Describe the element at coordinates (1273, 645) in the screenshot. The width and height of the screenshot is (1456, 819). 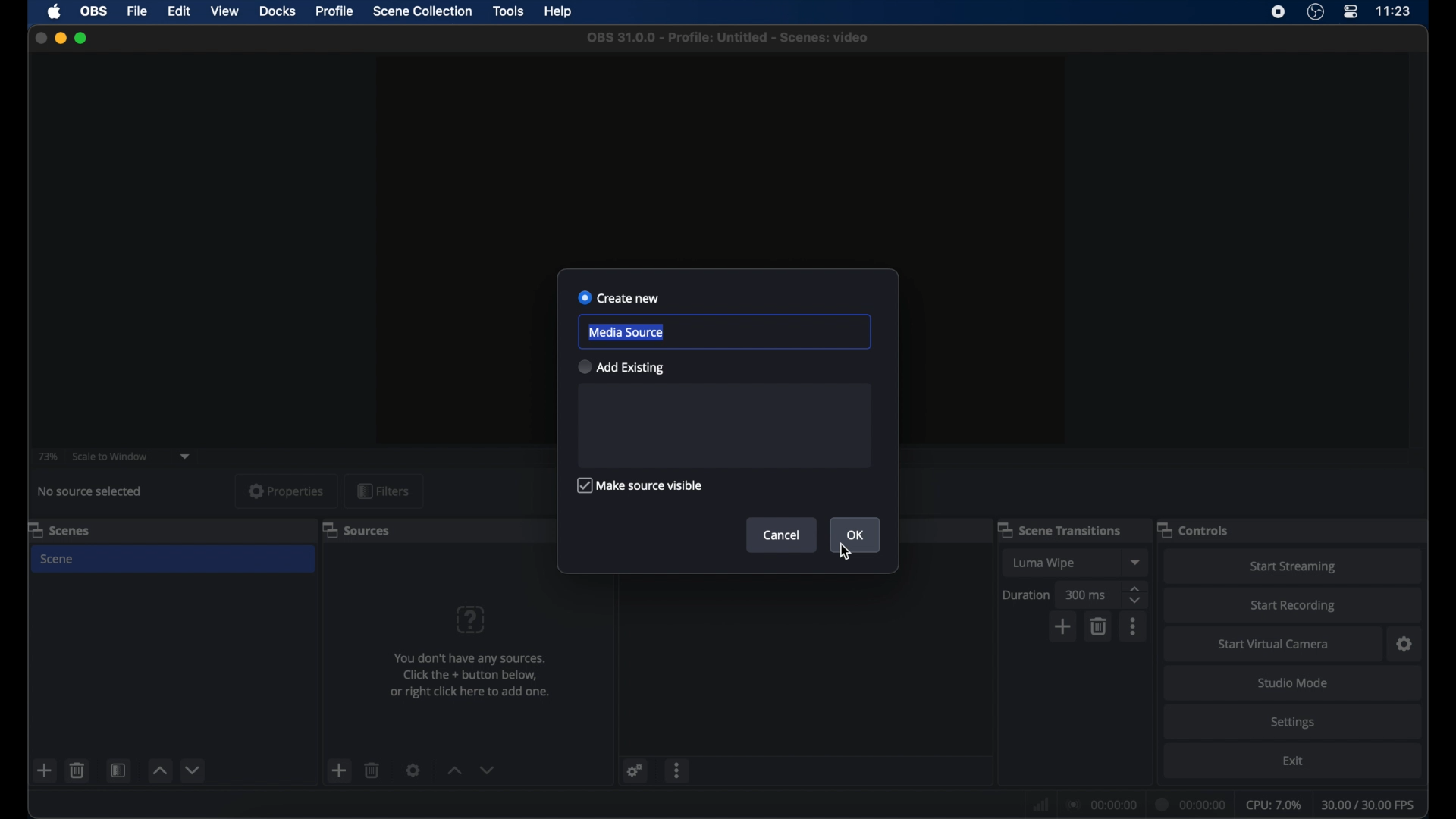
I see `start virtual camera` at that location.